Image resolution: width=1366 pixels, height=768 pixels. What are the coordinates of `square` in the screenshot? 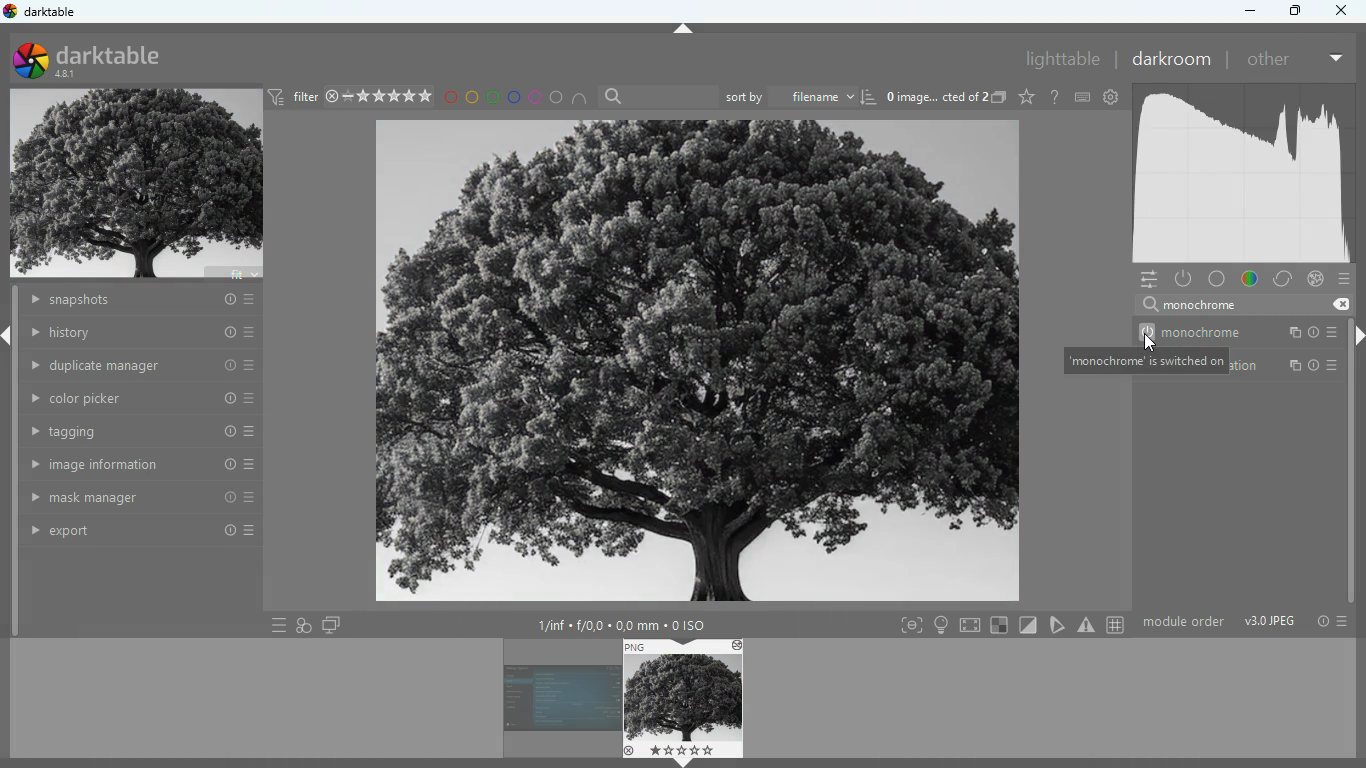 It's located at (998, 624).